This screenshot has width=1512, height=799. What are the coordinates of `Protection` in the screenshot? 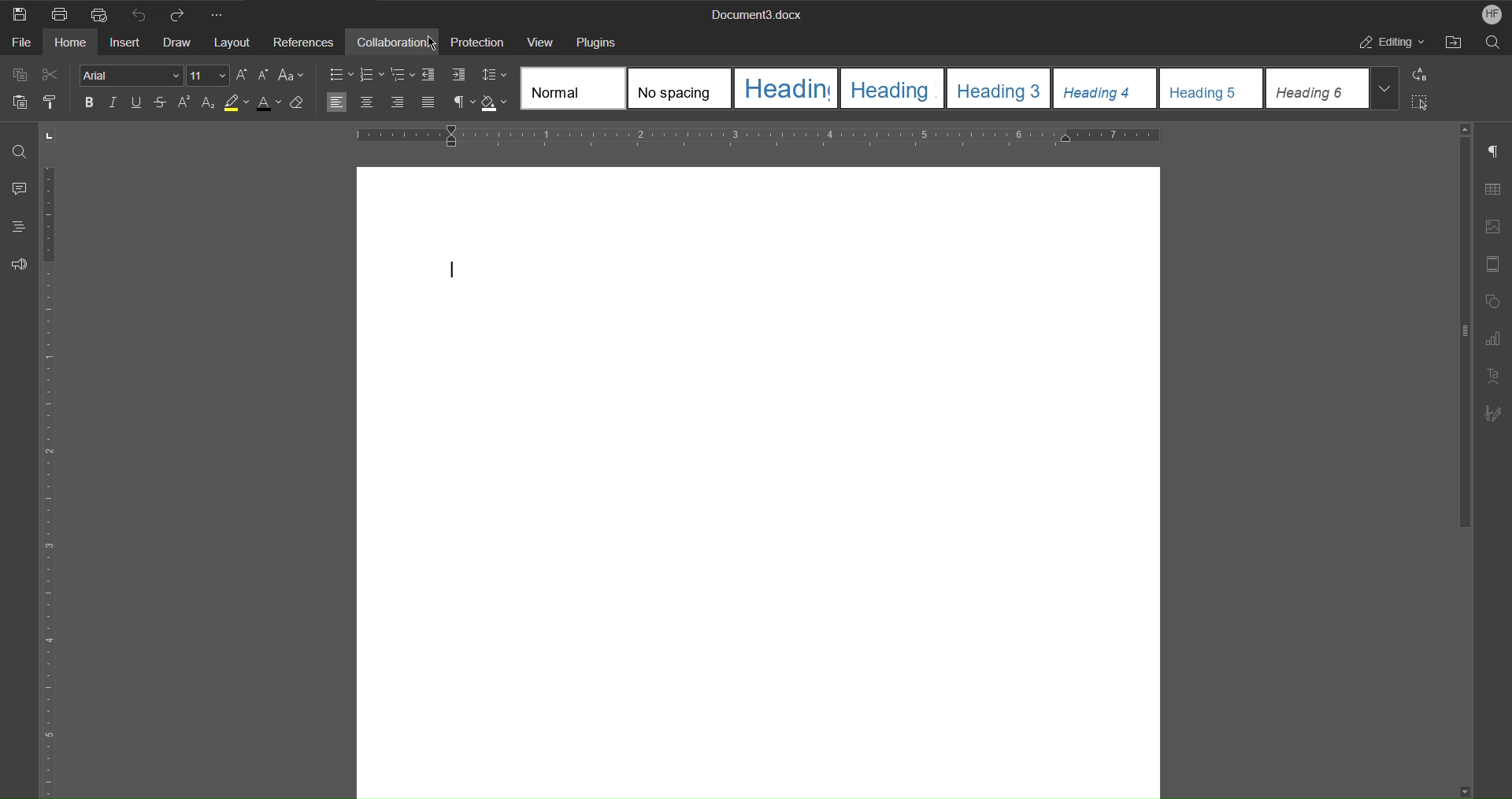 It's located at (480, 42).